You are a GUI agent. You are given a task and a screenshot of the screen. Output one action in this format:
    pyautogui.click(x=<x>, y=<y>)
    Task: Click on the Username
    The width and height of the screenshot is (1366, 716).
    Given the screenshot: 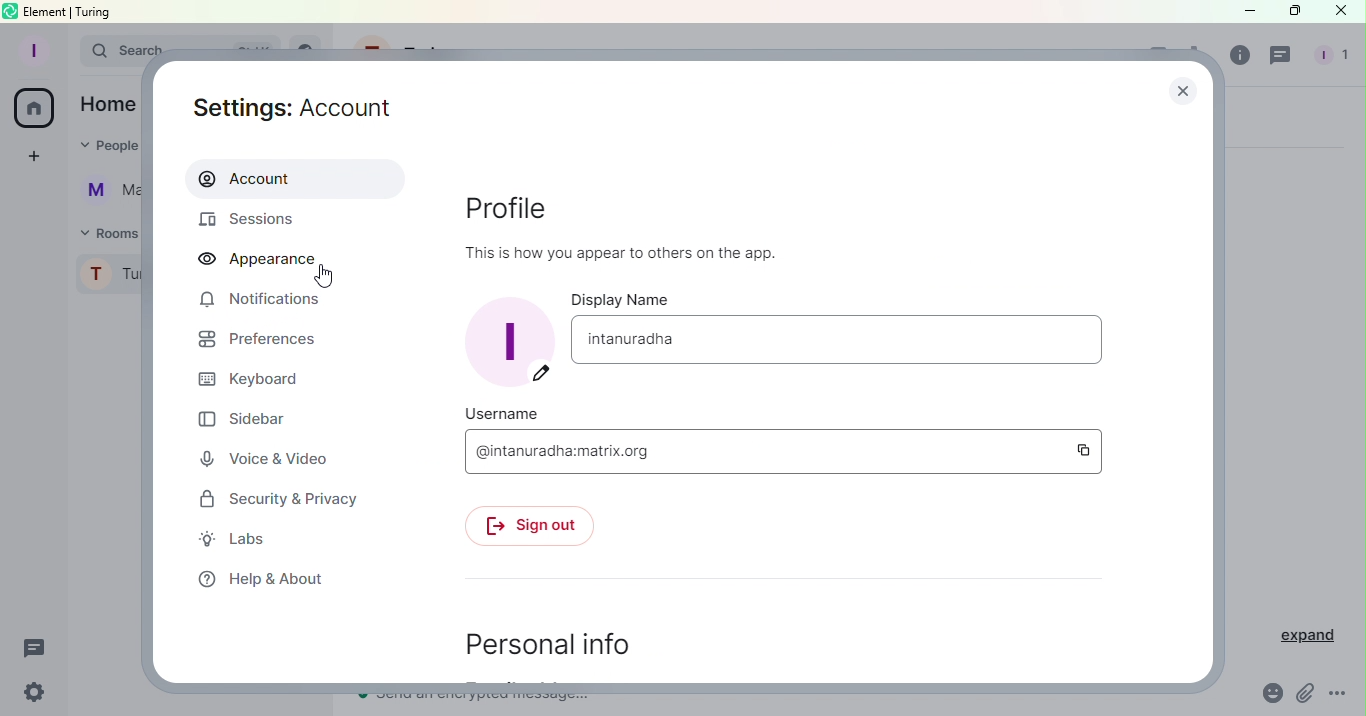 What is the action you would take?
    pyautogui.click(x=764, y=448)
    